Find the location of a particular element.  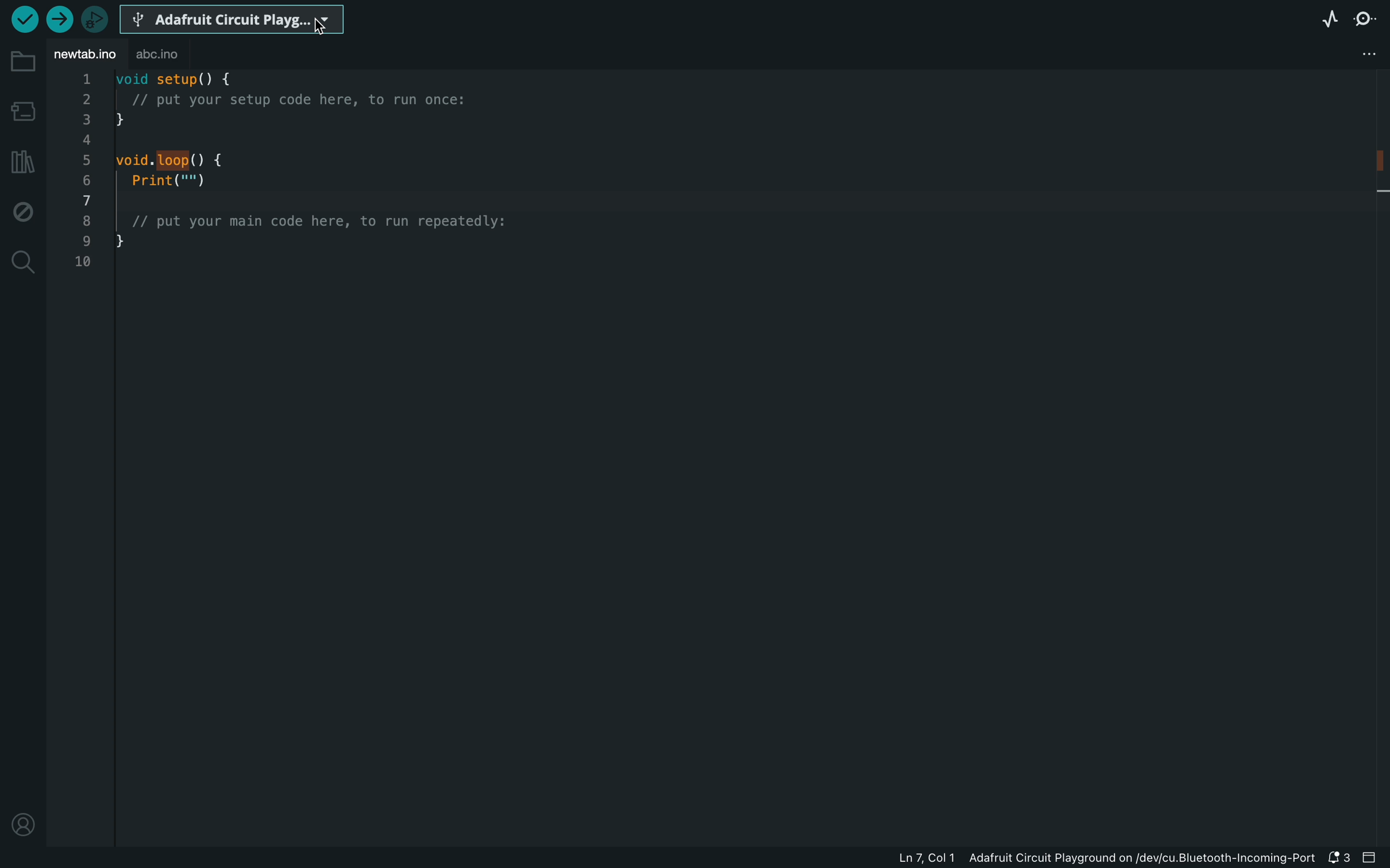

serial monitor is located at coordinates (1370, 21).